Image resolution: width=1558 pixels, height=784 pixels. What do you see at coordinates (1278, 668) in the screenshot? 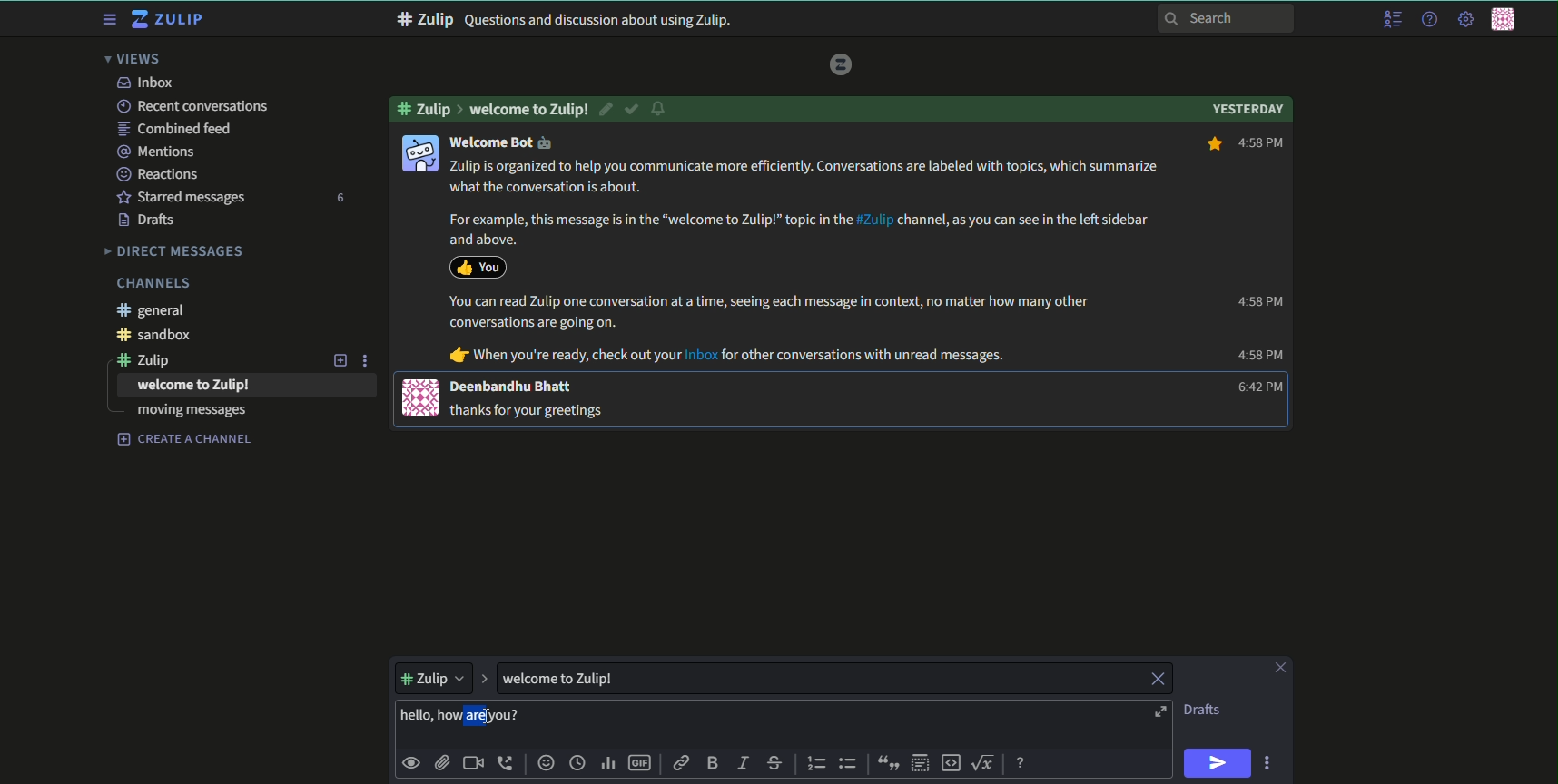
I see `close` at bounding box center [1278, 668].